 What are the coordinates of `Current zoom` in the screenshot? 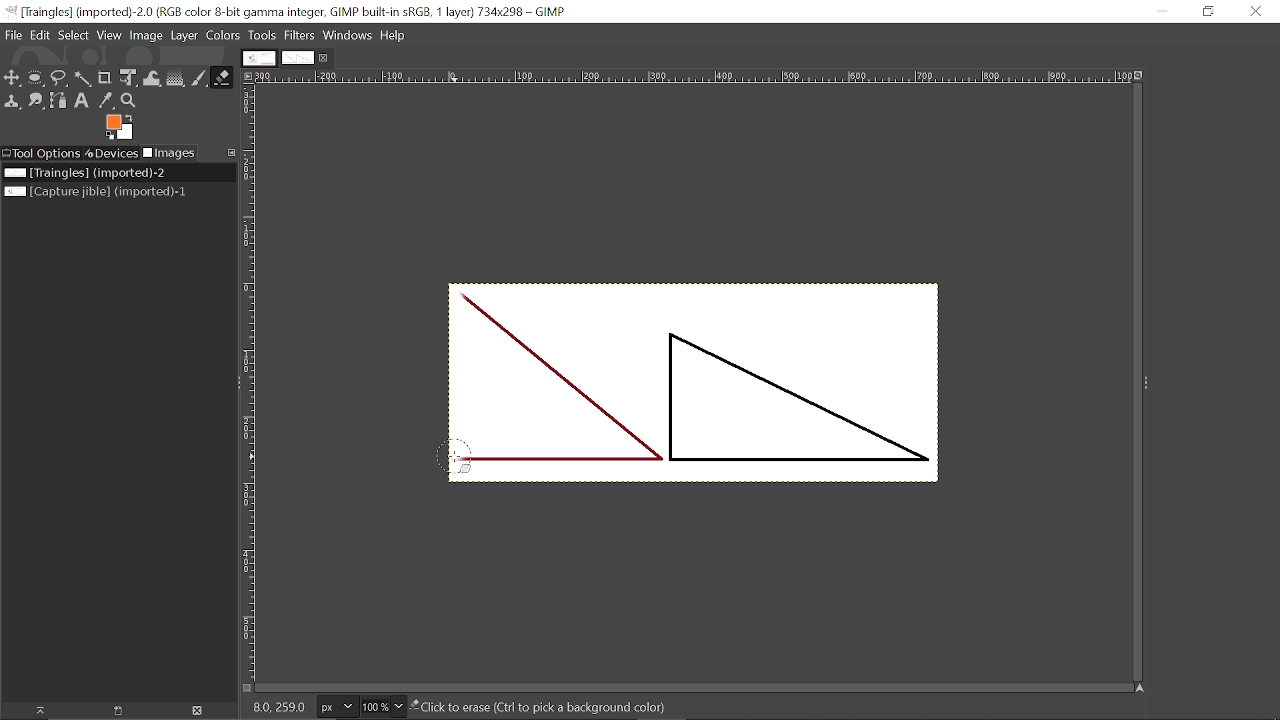 It's located at (374, 707).